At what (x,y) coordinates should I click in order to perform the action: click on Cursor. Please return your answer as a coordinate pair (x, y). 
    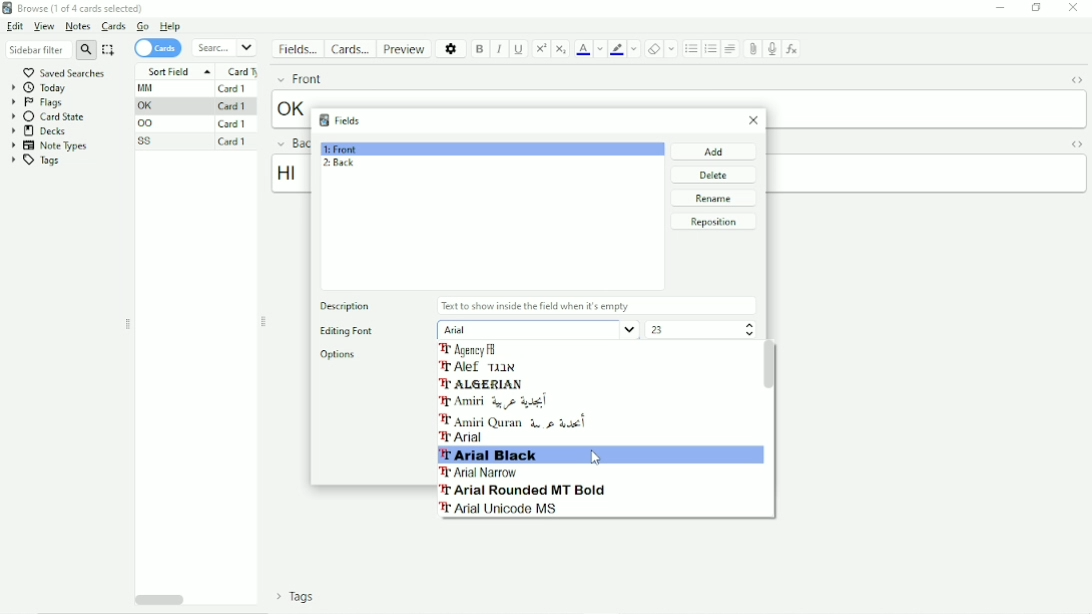
    Looking at the image, I should click on (595, 457).